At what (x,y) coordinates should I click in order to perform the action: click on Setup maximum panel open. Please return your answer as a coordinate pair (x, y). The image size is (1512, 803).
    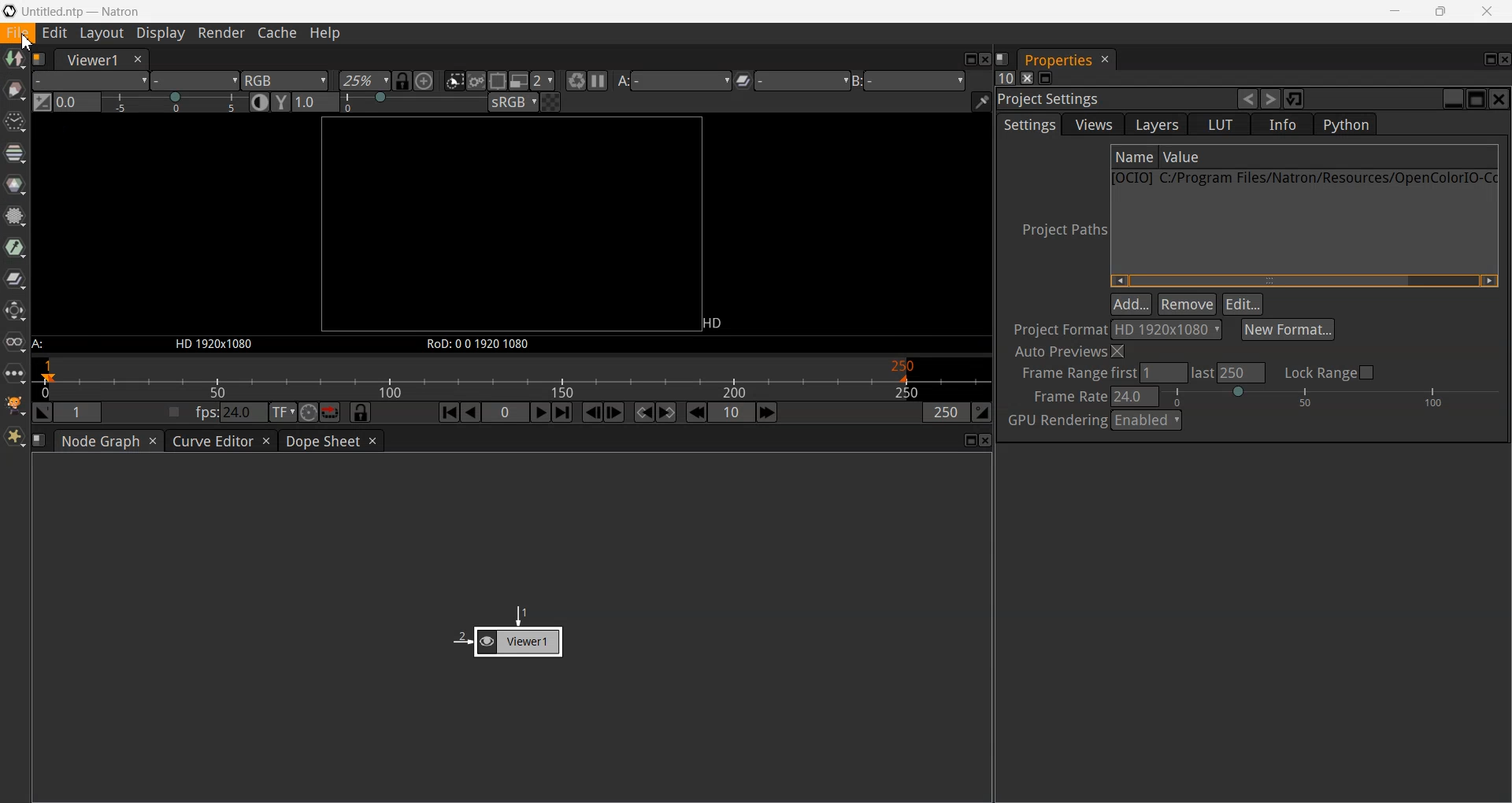
    Looking at the image, I should click on (1004, 77).